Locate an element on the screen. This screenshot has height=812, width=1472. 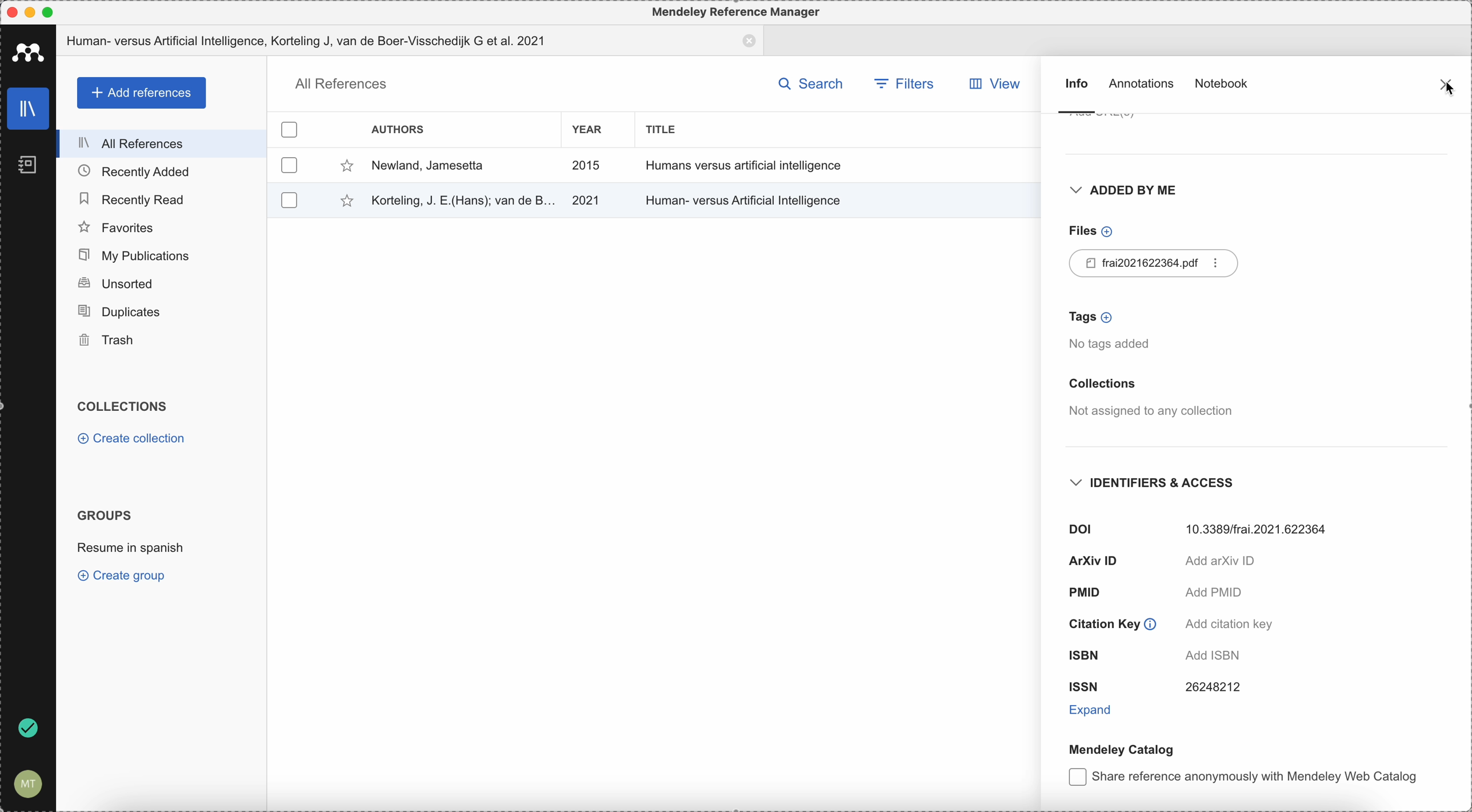
favorite is located at coordinates (344, 166).